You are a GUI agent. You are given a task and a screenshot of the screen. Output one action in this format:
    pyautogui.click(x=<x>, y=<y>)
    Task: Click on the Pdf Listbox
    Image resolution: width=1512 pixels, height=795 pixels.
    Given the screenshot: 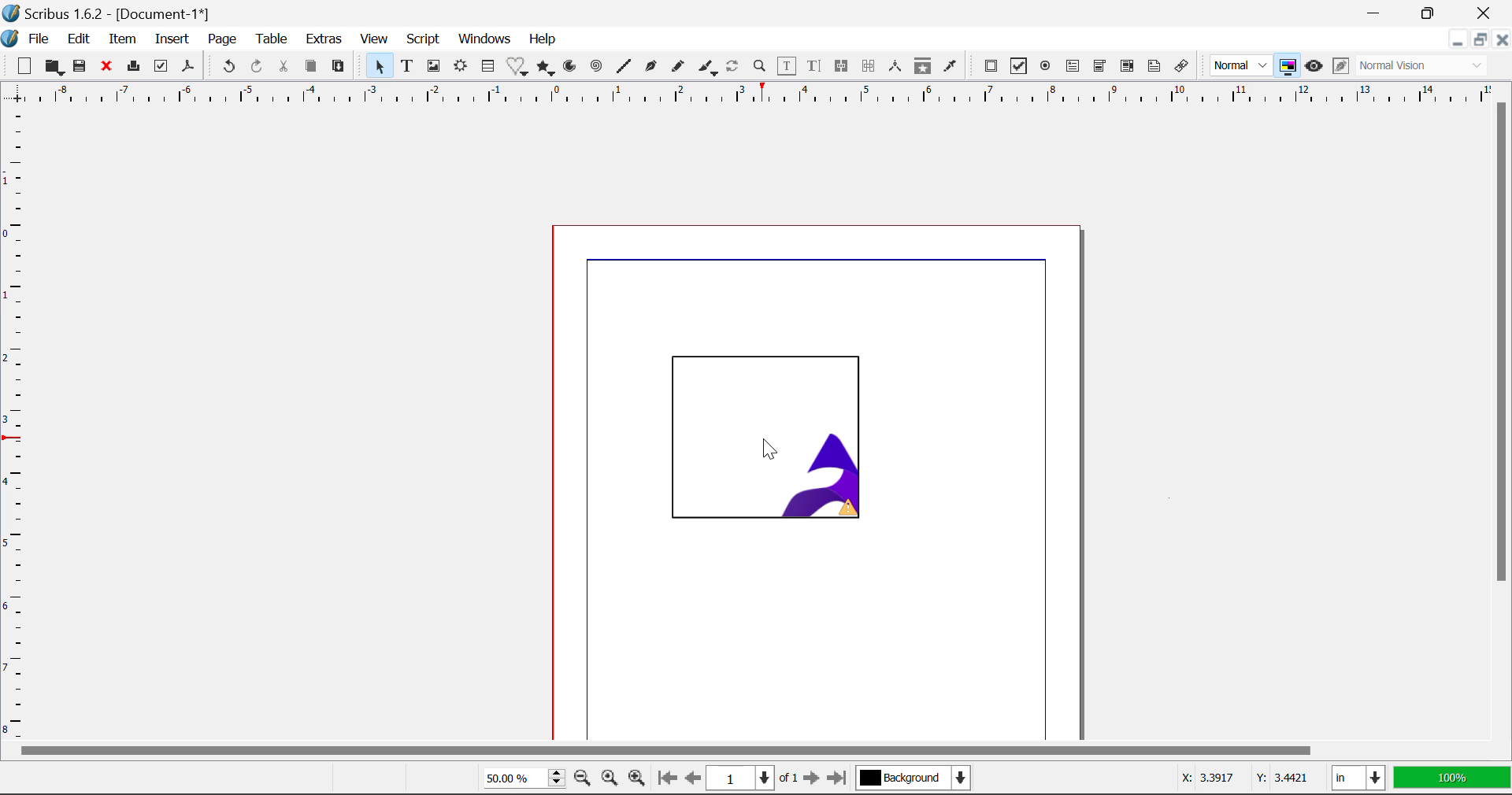 What is the action you would take?
    pyautogui.click(x=1116, y=70)
    